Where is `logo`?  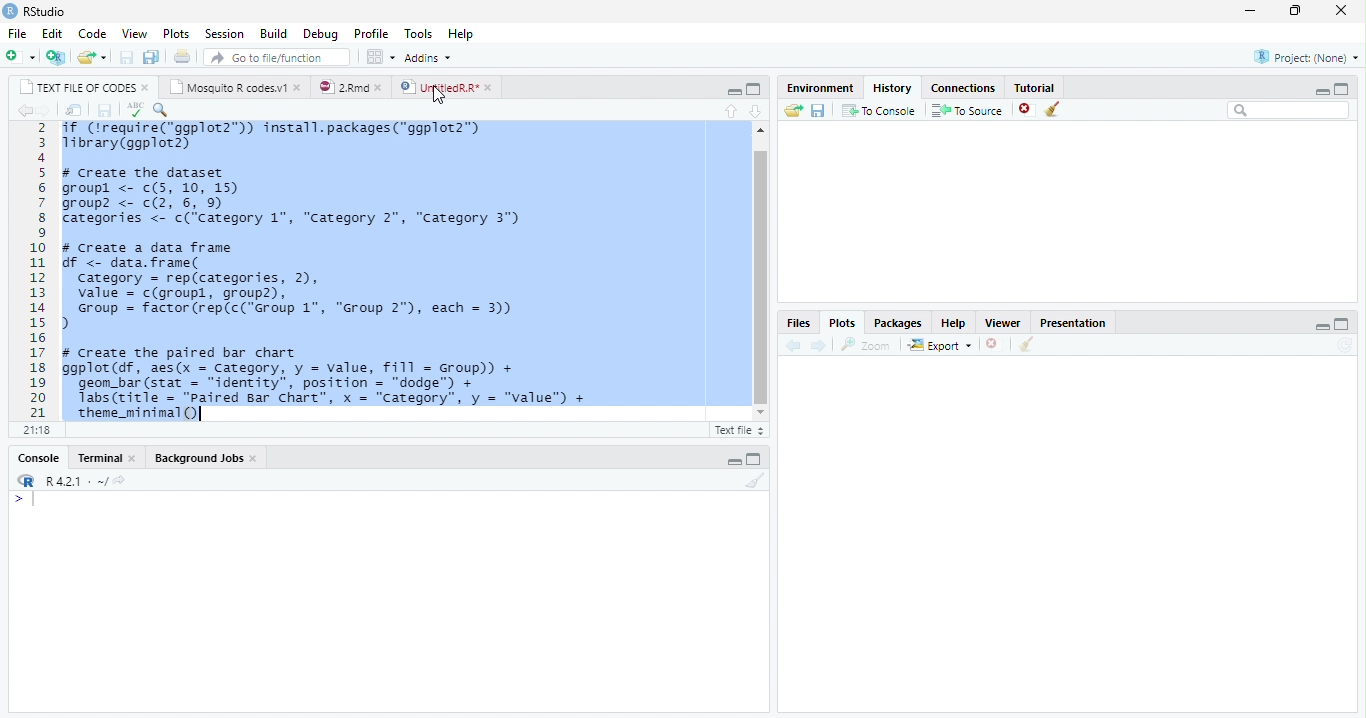
logo is located at coordinates (11, 12).